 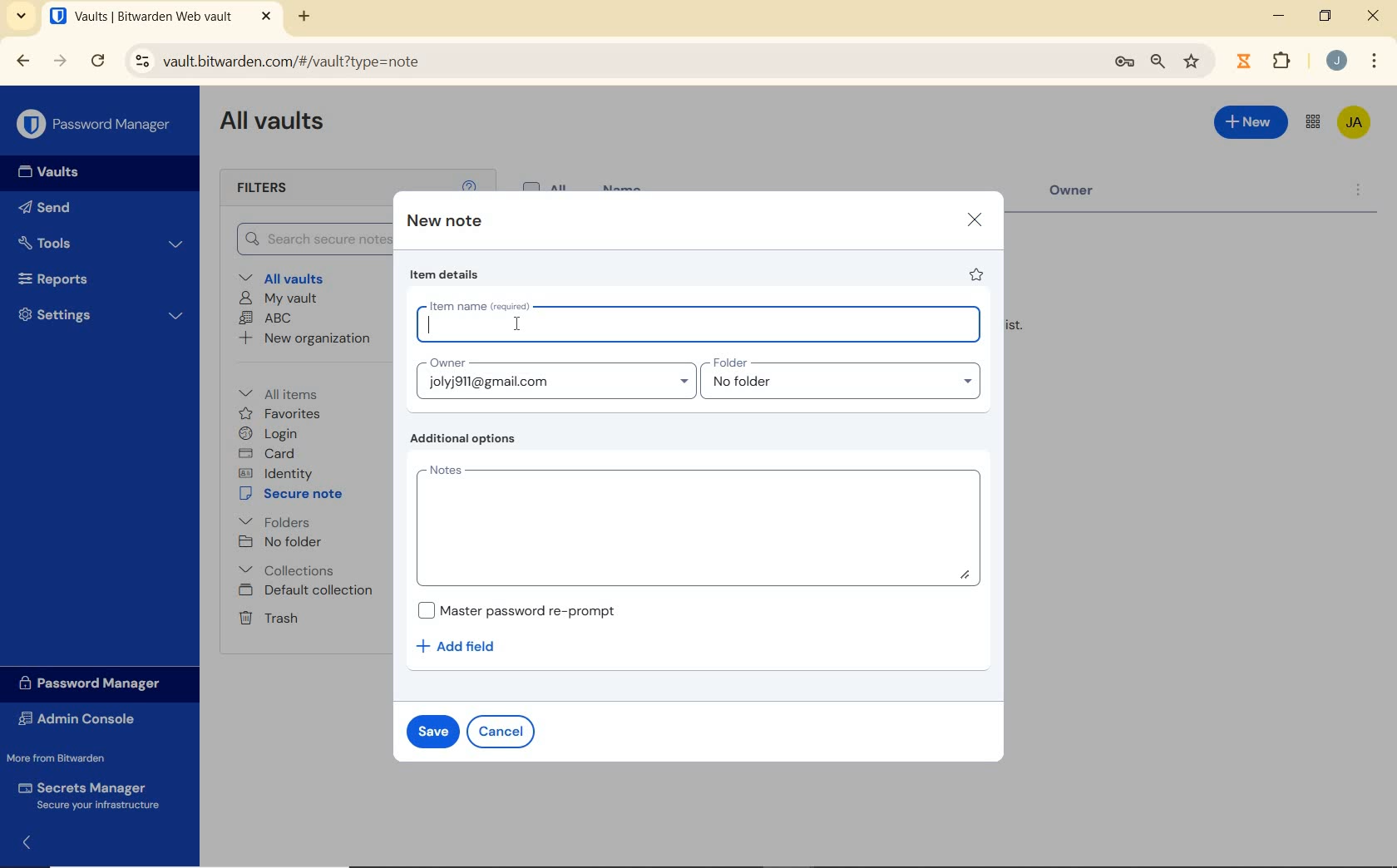 What do you see at coordinates (306, 240) in the screenshot?
I see `Search Vault` at bounding box center [306, 240].